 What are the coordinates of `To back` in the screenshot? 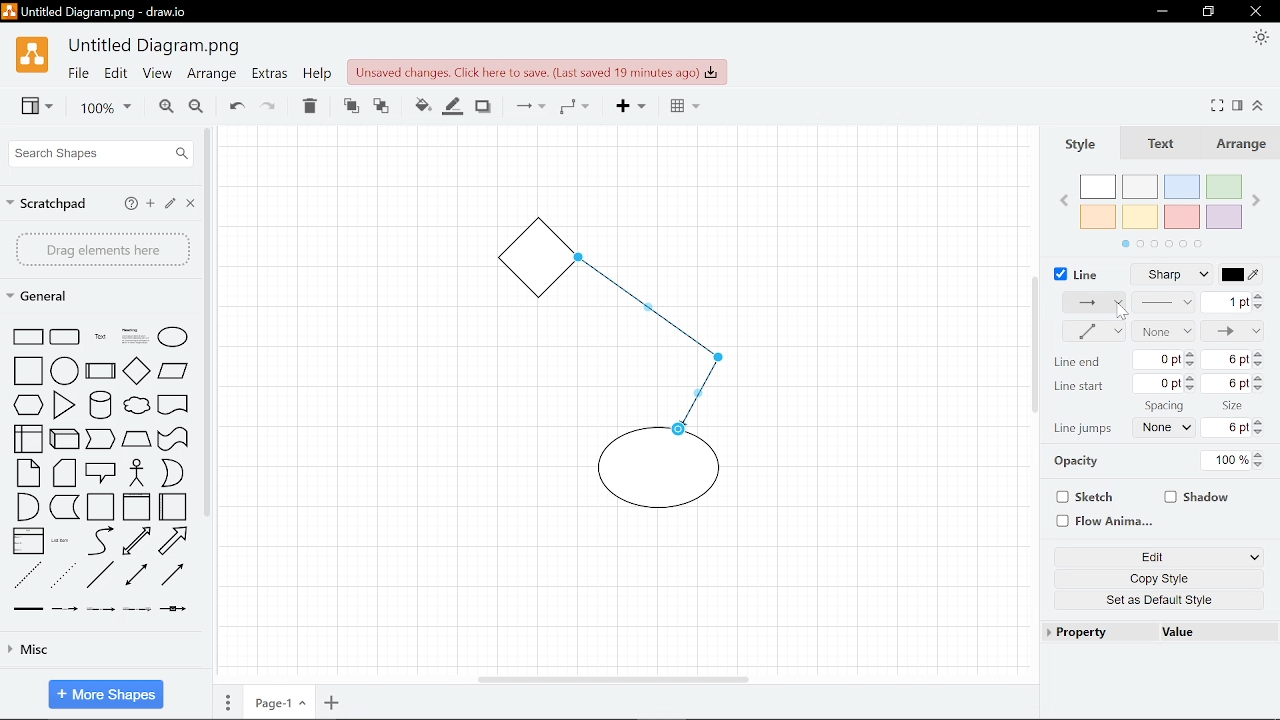 It's located at (382, 105).